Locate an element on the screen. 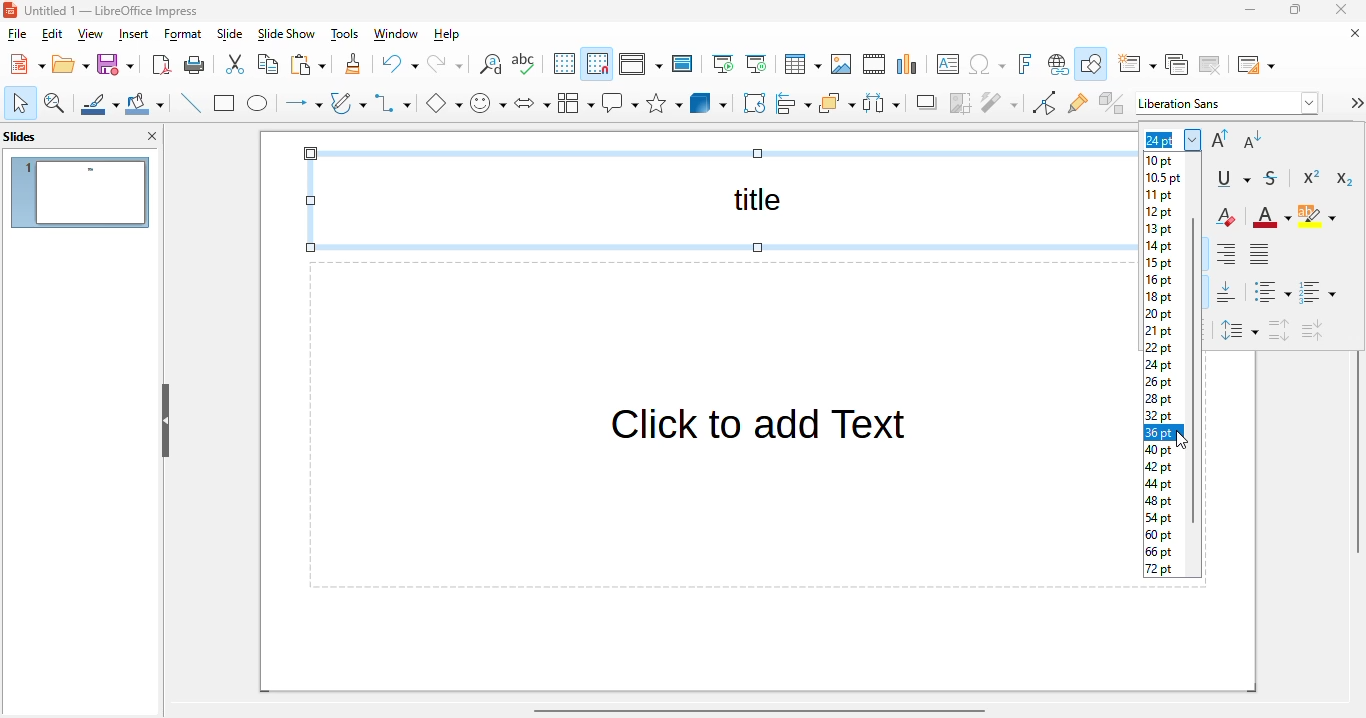  tools is located at coordinates (345, 35).